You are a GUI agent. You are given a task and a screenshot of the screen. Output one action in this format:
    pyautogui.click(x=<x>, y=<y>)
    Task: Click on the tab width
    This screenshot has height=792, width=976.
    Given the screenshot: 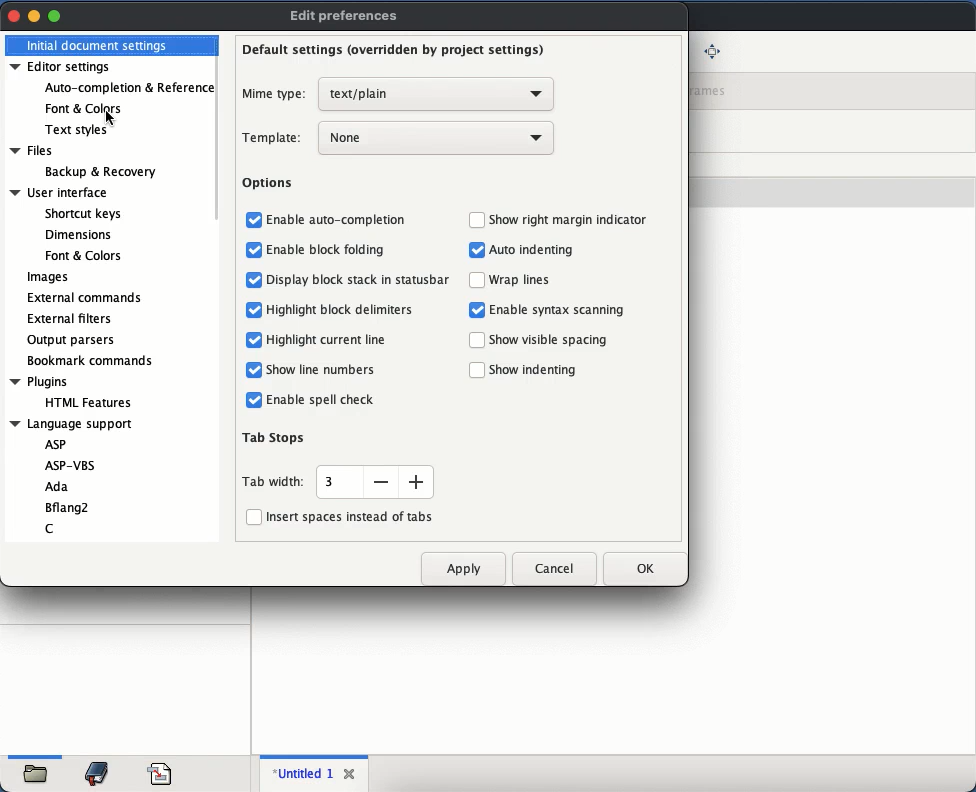 What is the action you would take?
    pyautogui.click(x=276, y=483)
    